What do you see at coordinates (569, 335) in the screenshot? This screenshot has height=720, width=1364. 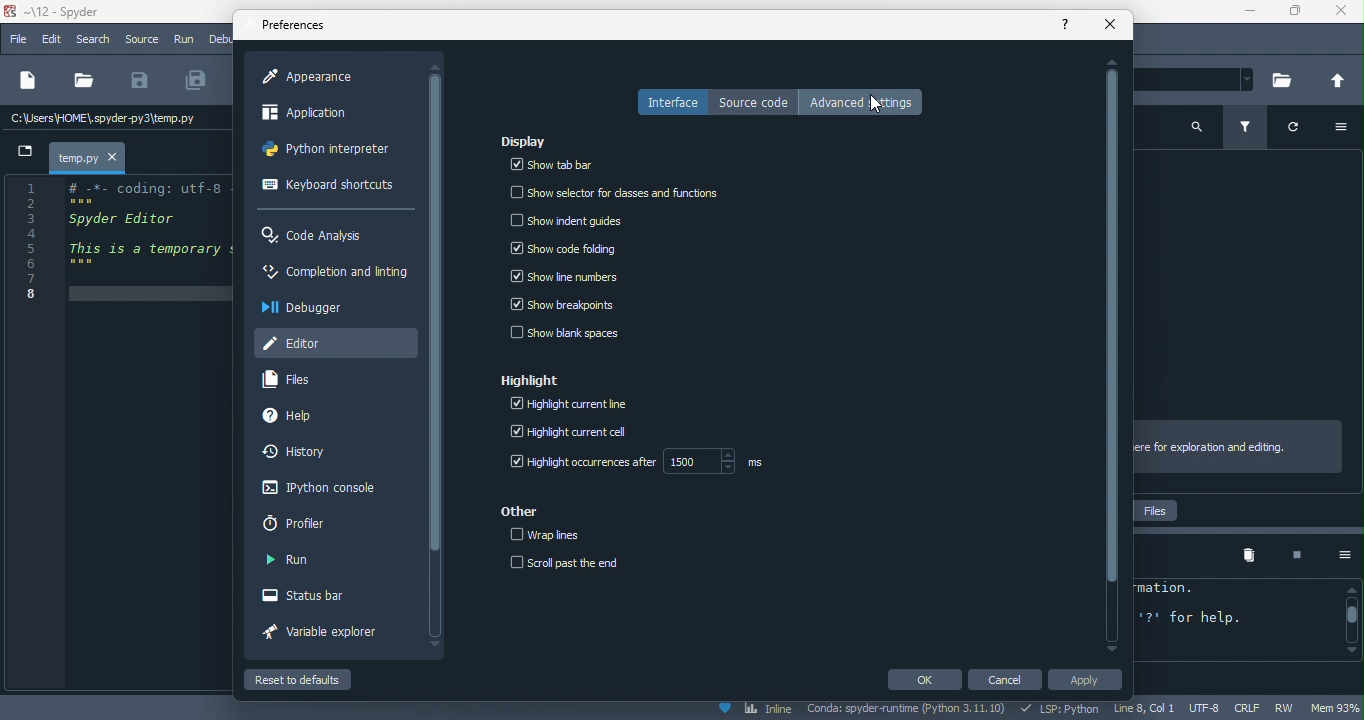 I see `show blank spaces` at bounding box center [569, 335].